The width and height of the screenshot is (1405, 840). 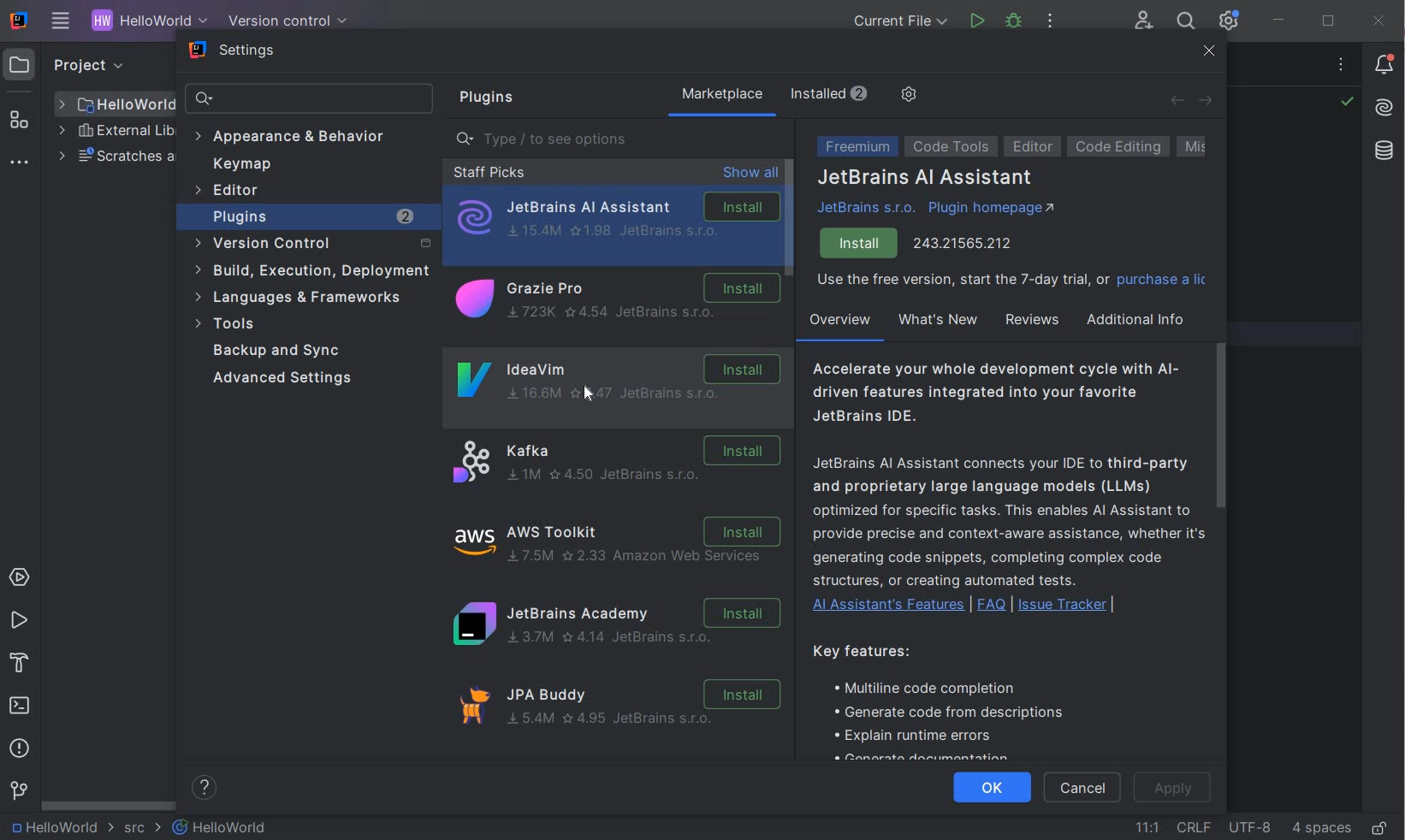 I want to click on JetBrains ACADEMY Installation, so click(x=614, y=625).